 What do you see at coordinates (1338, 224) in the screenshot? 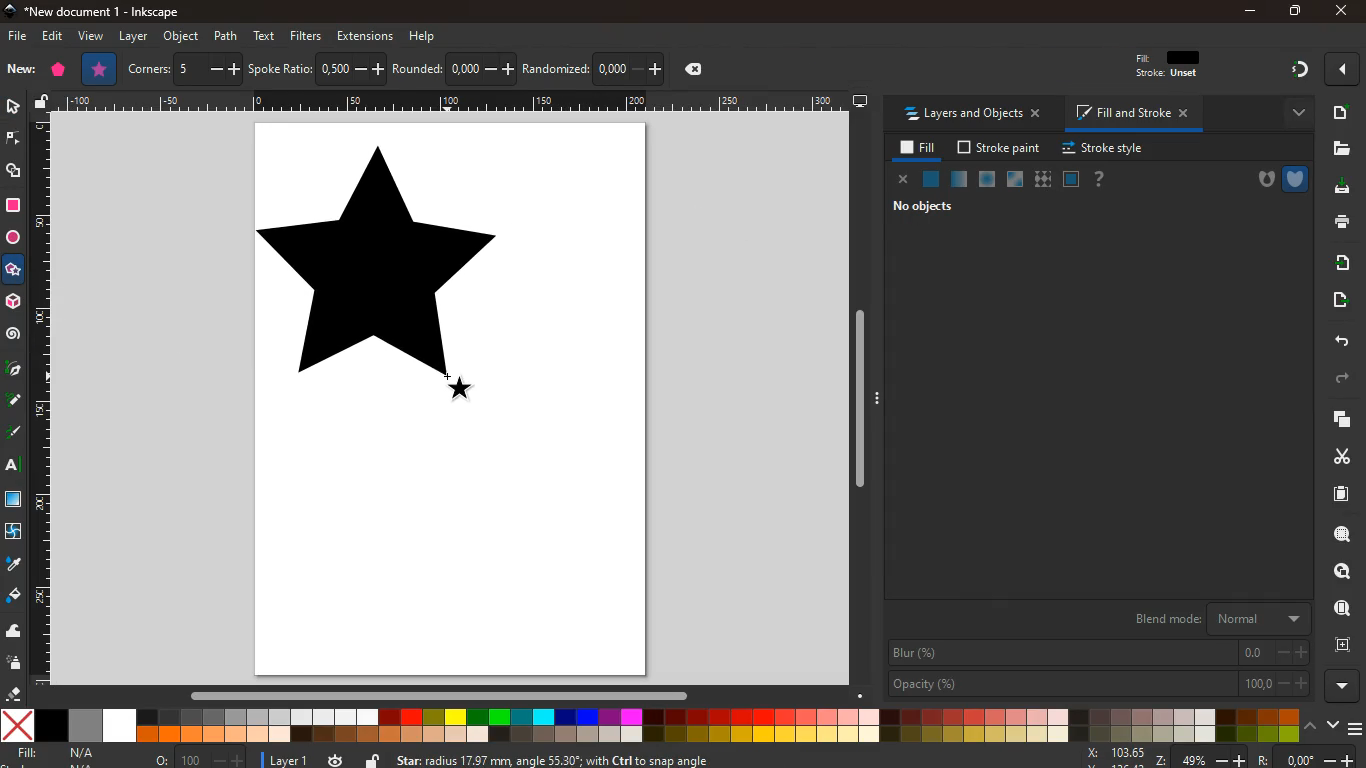
I see `print` at bounding box center [1338, 224].